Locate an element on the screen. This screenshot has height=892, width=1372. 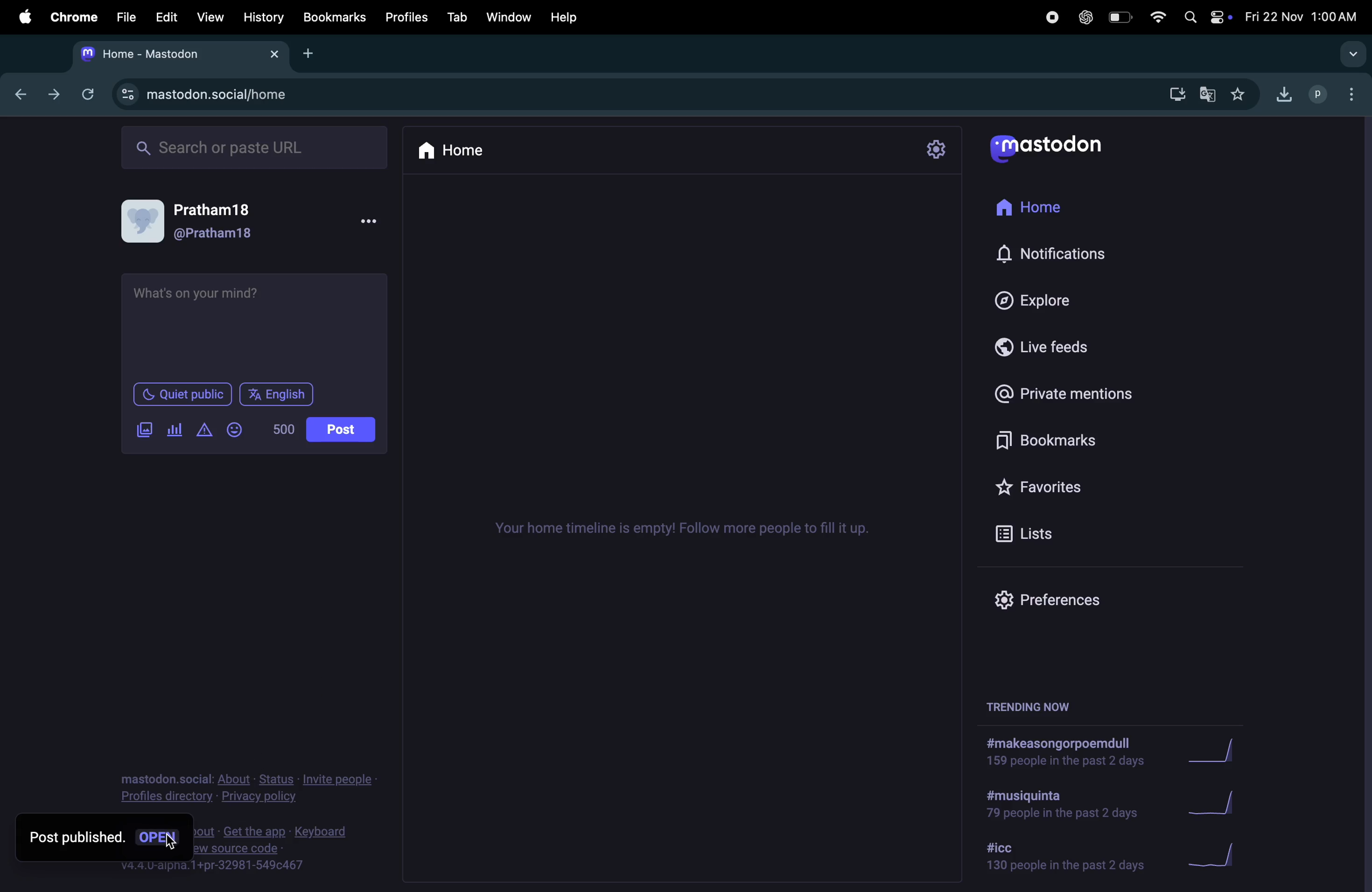
chrome is located at coordinates (74, 17).